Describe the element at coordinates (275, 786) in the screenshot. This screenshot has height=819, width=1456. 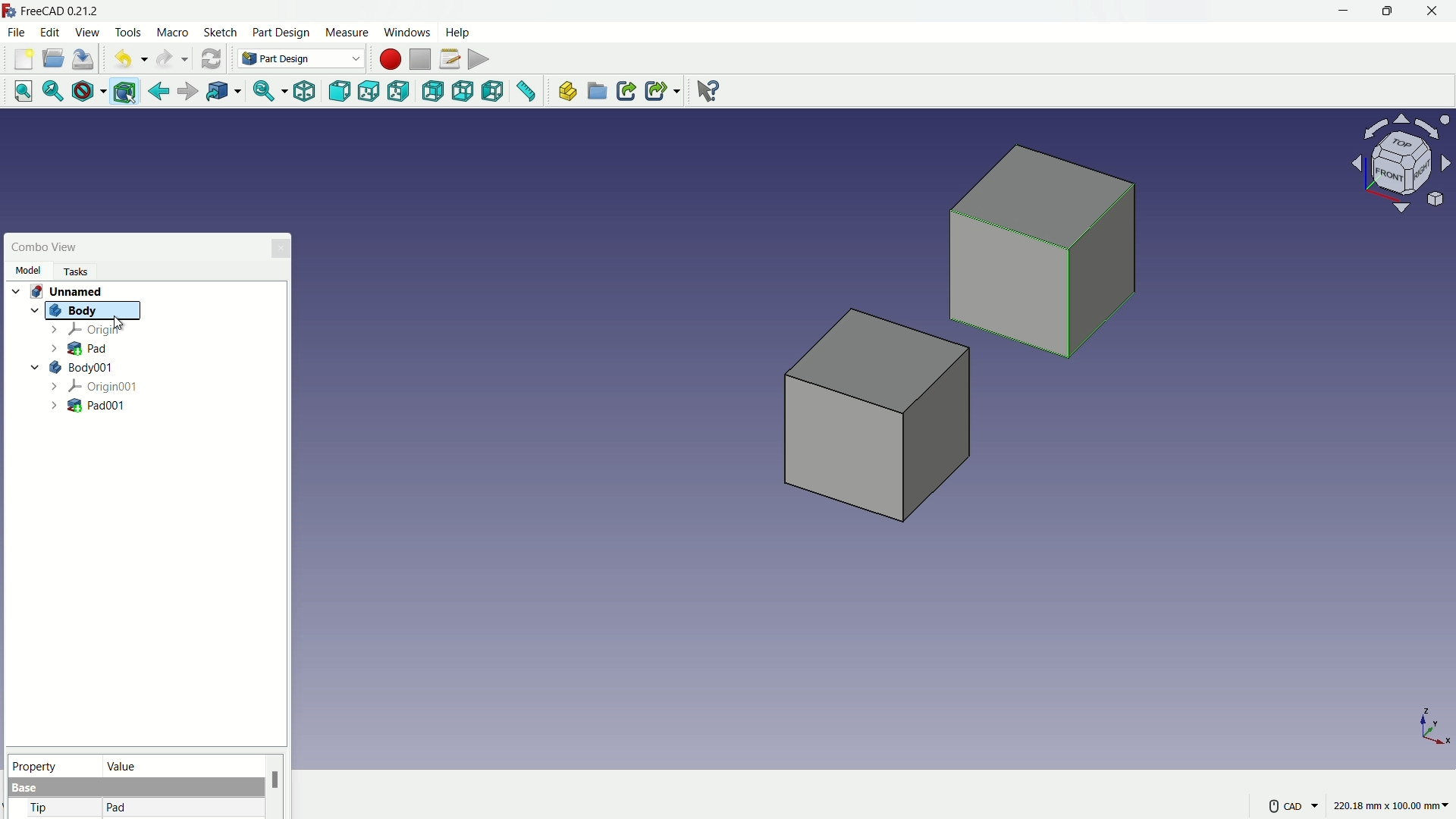
I see `scroll bar` at that location.